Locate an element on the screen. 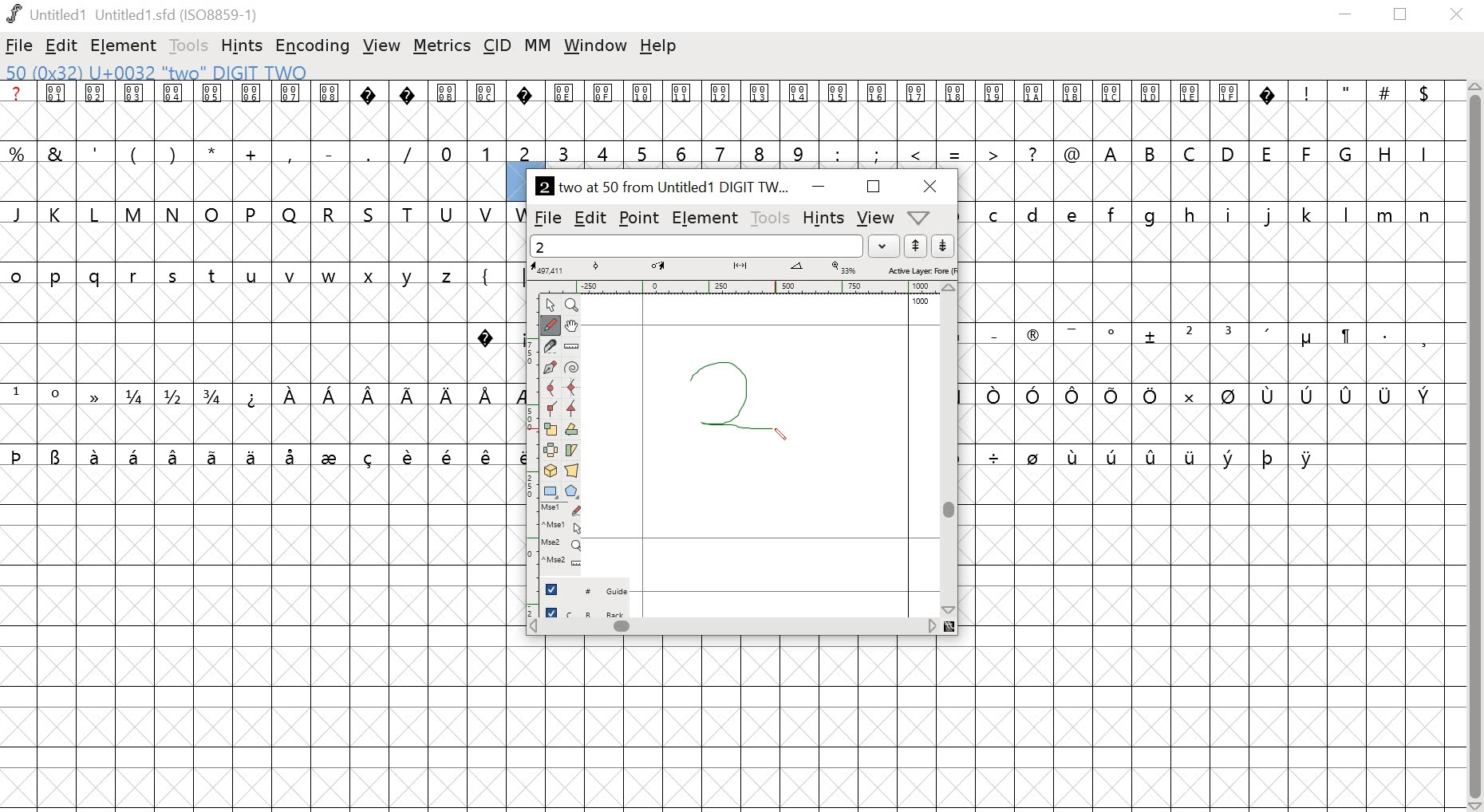  curve is located at coordinates (552, 388).